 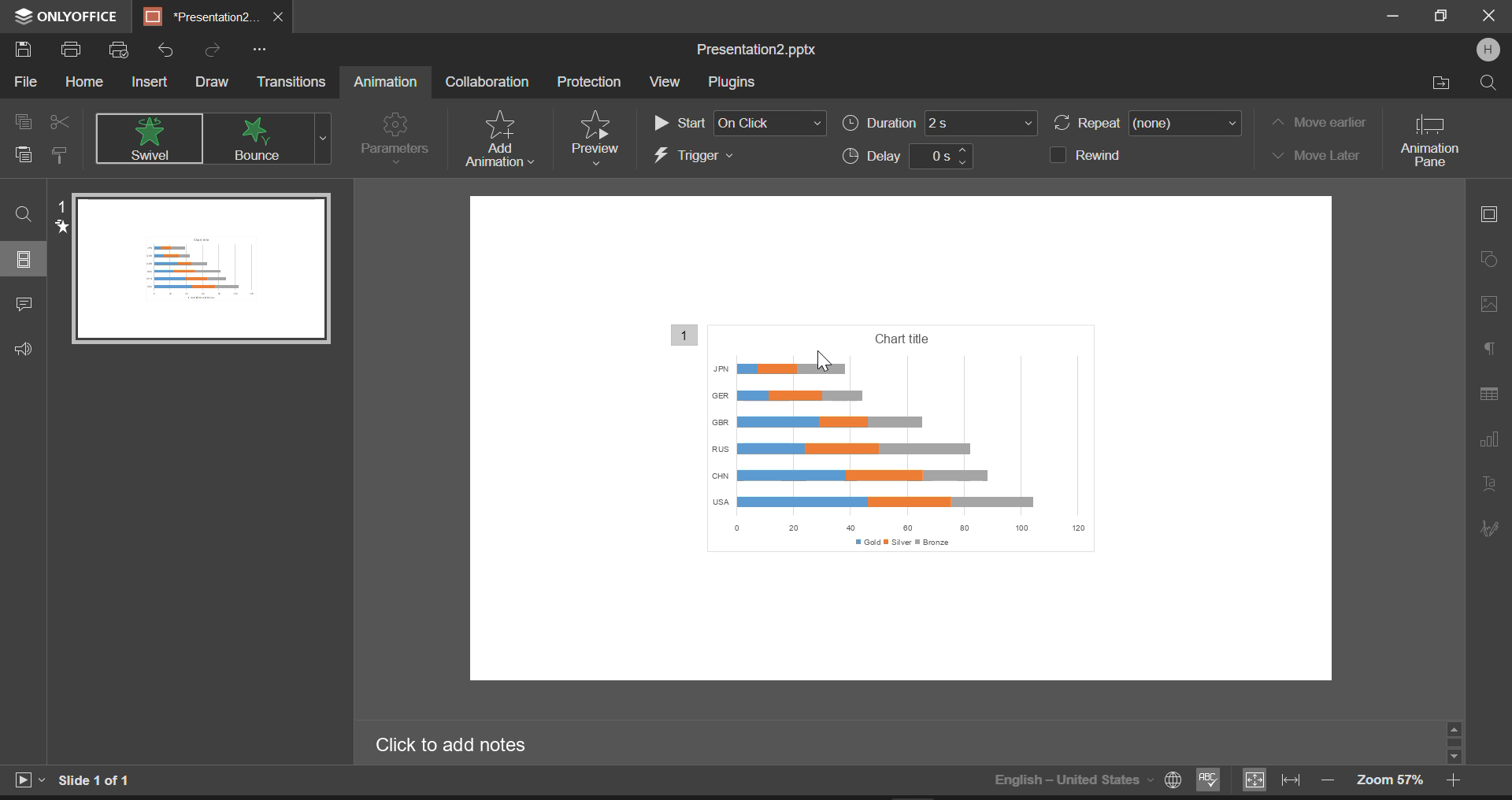 What do you see at coordinates (60, 119) in the screenshot?
I see `Cut` at bounding box center [60, 119].